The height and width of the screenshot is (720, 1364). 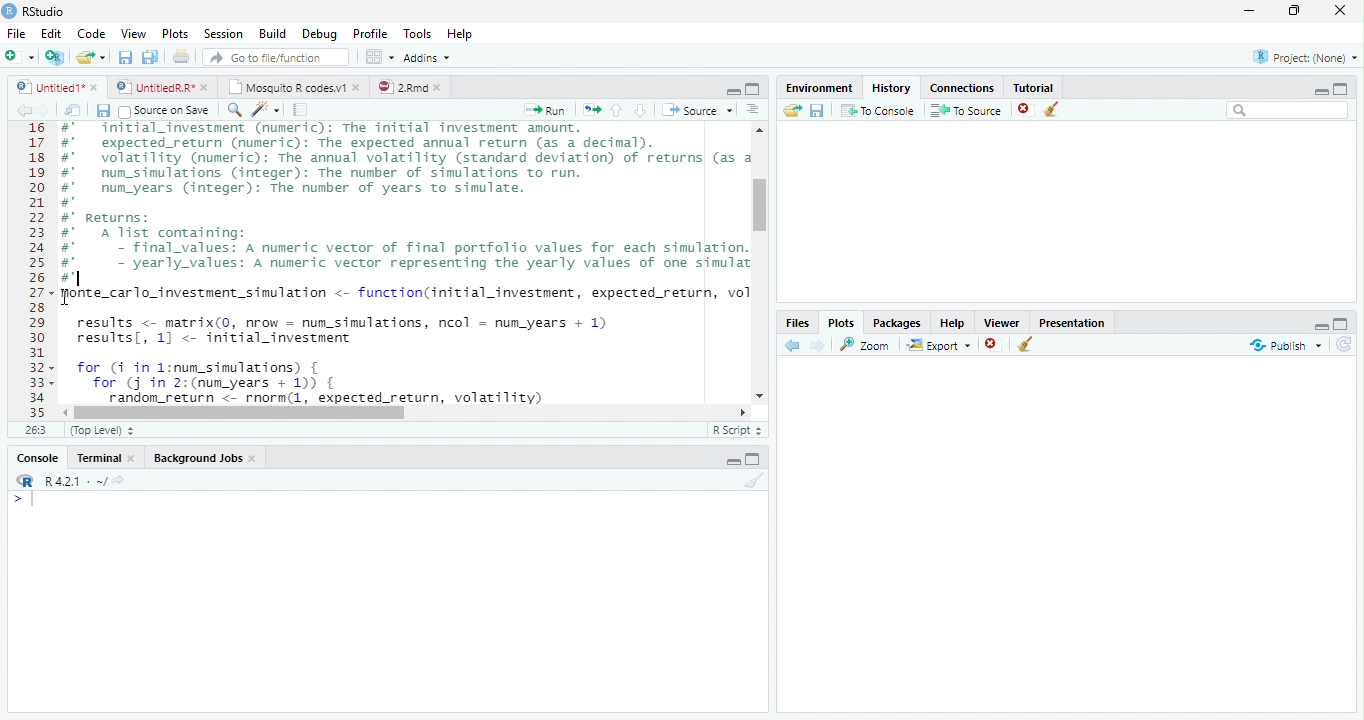 I want to click on Help, so click(x=462, y=35).